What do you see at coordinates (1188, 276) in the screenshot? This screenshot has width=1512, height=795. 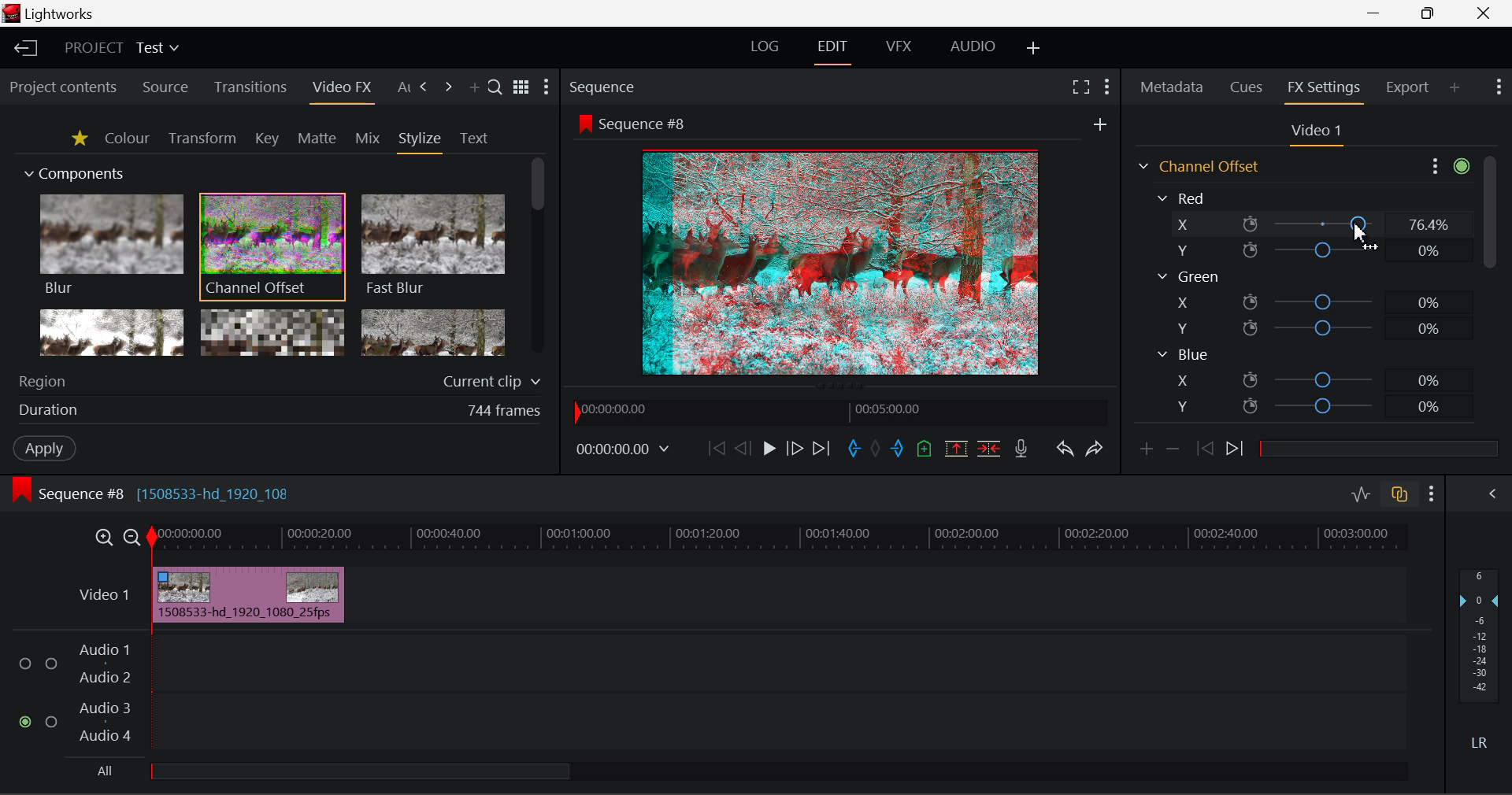 I see `Green` at bounding box center [1188, 276].